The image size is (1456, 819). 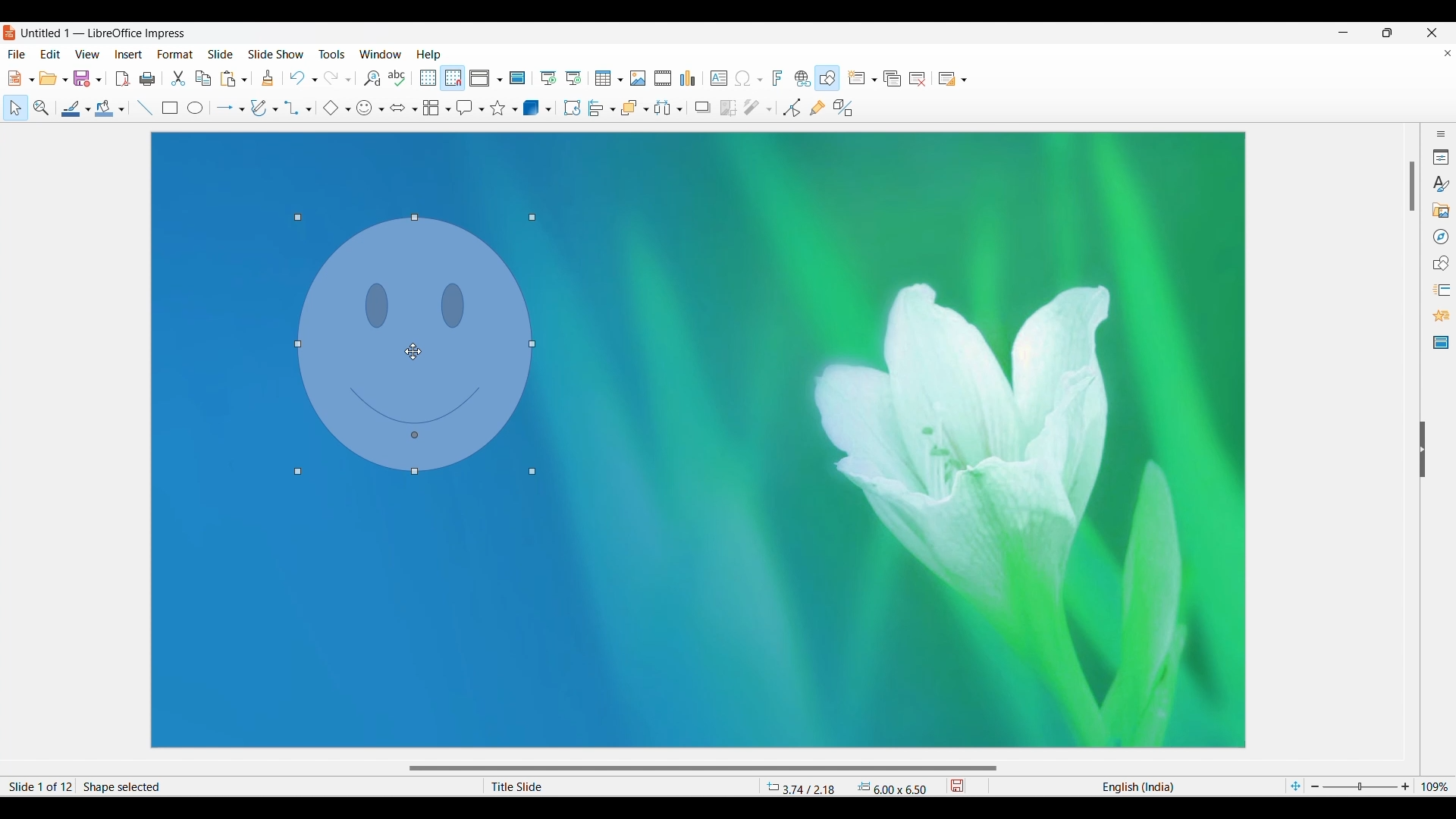 What do you see at coordinates (397, 78) in the screenshot?
I see `Spell check` at bounding box center [397, 78].